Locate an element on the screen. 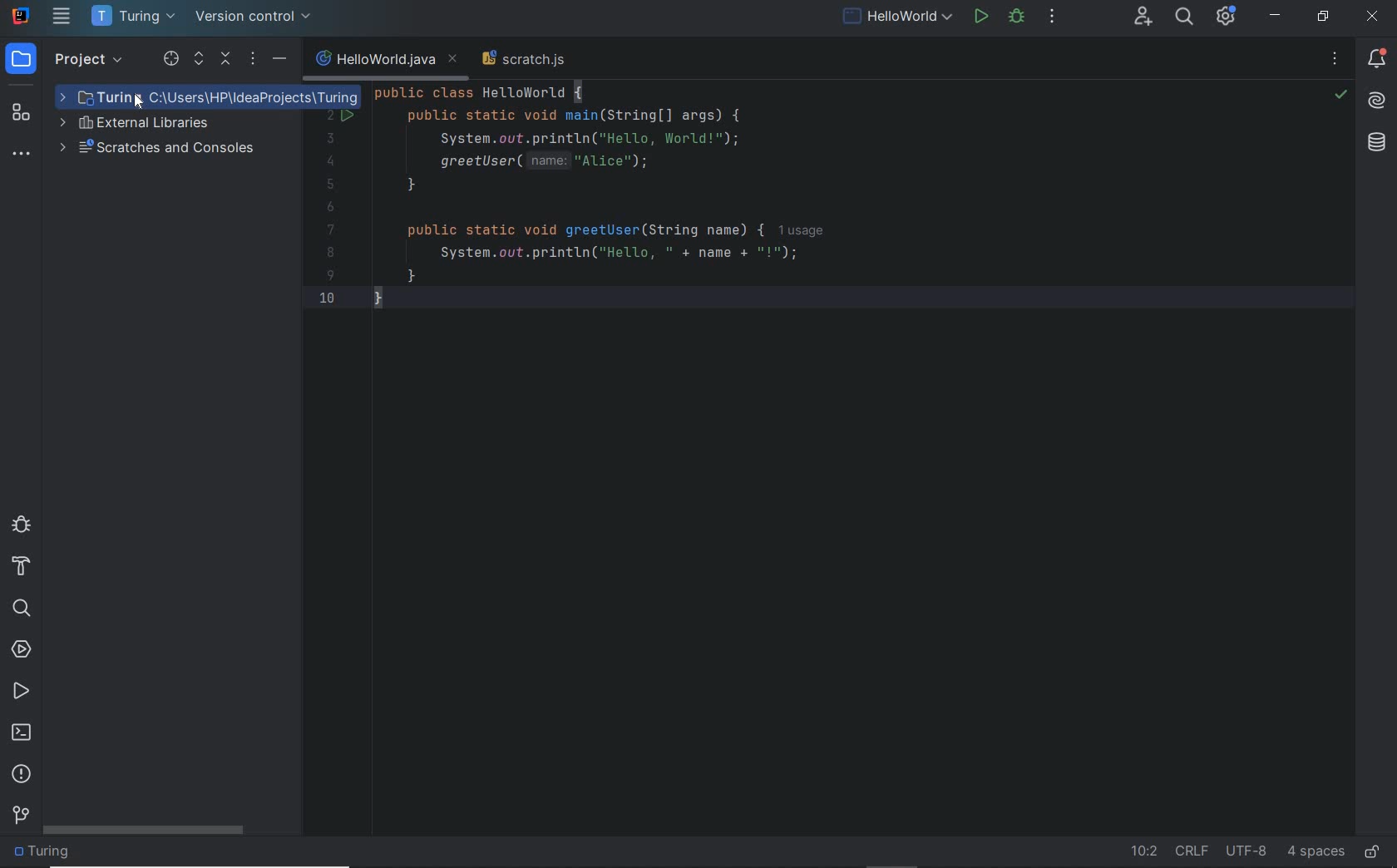 This screenshot has height=868, width=1397. notifications is located at coordinates (1376, 58).